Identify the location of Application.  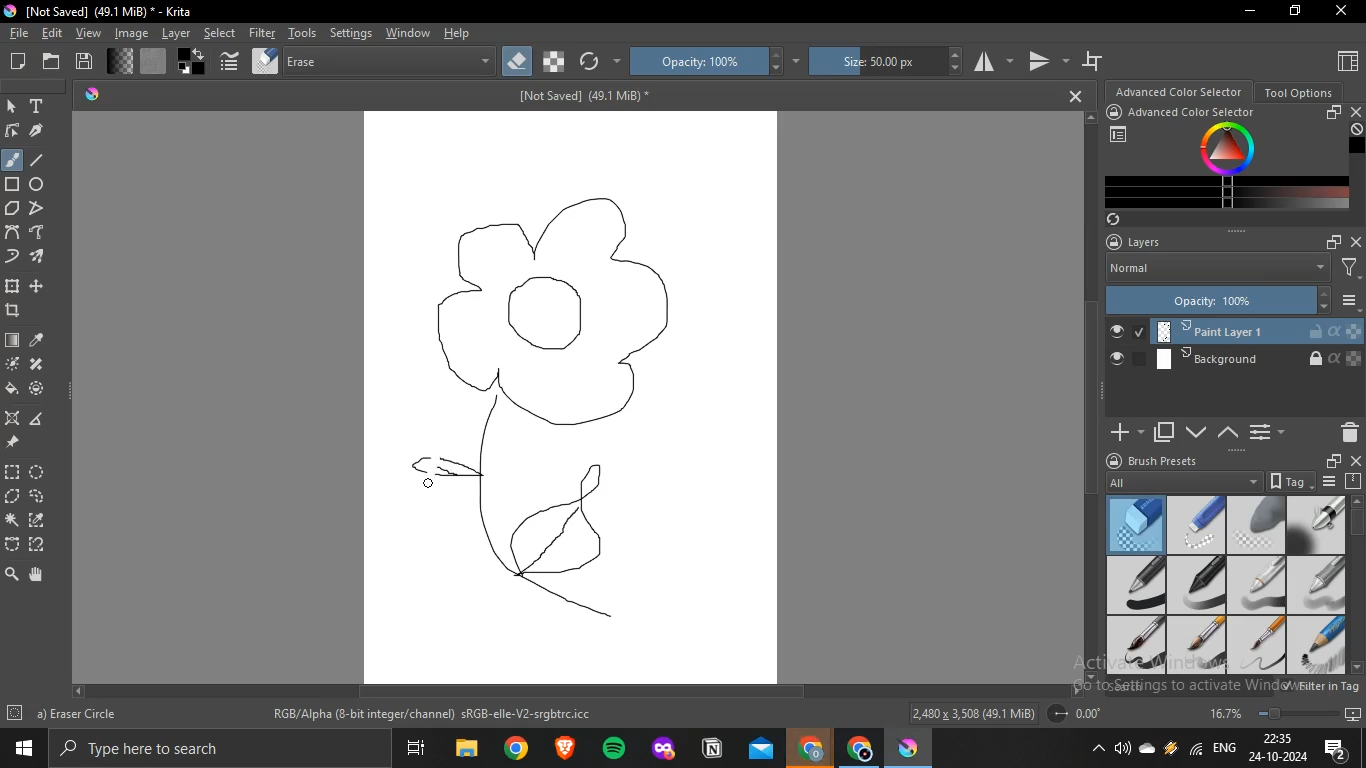
(463, 749).